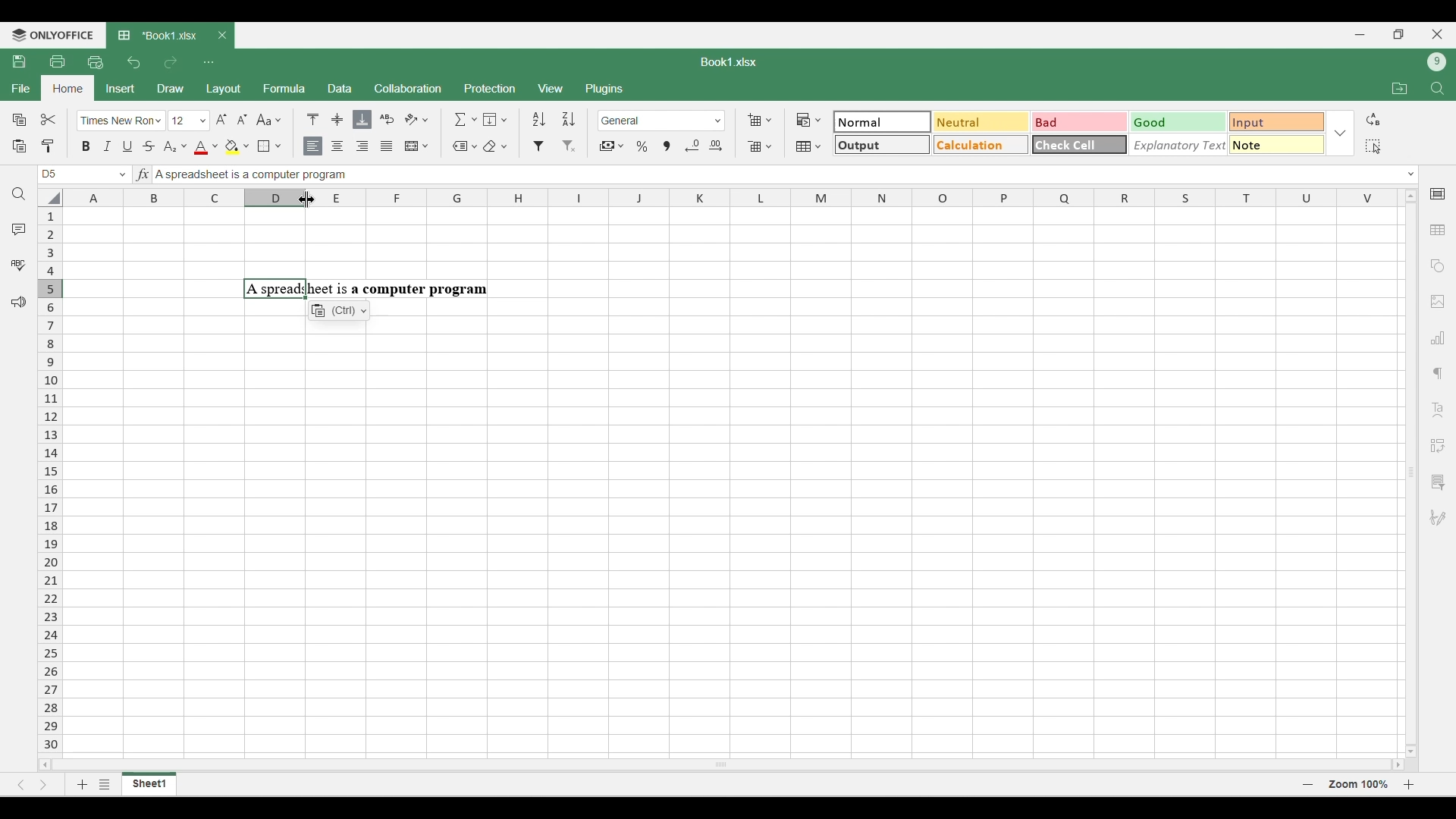 This screenshot has height=819, width=1456. Describe the element at coordinates (83, 784) in the screenshot. I see `Add sheets` at that location.